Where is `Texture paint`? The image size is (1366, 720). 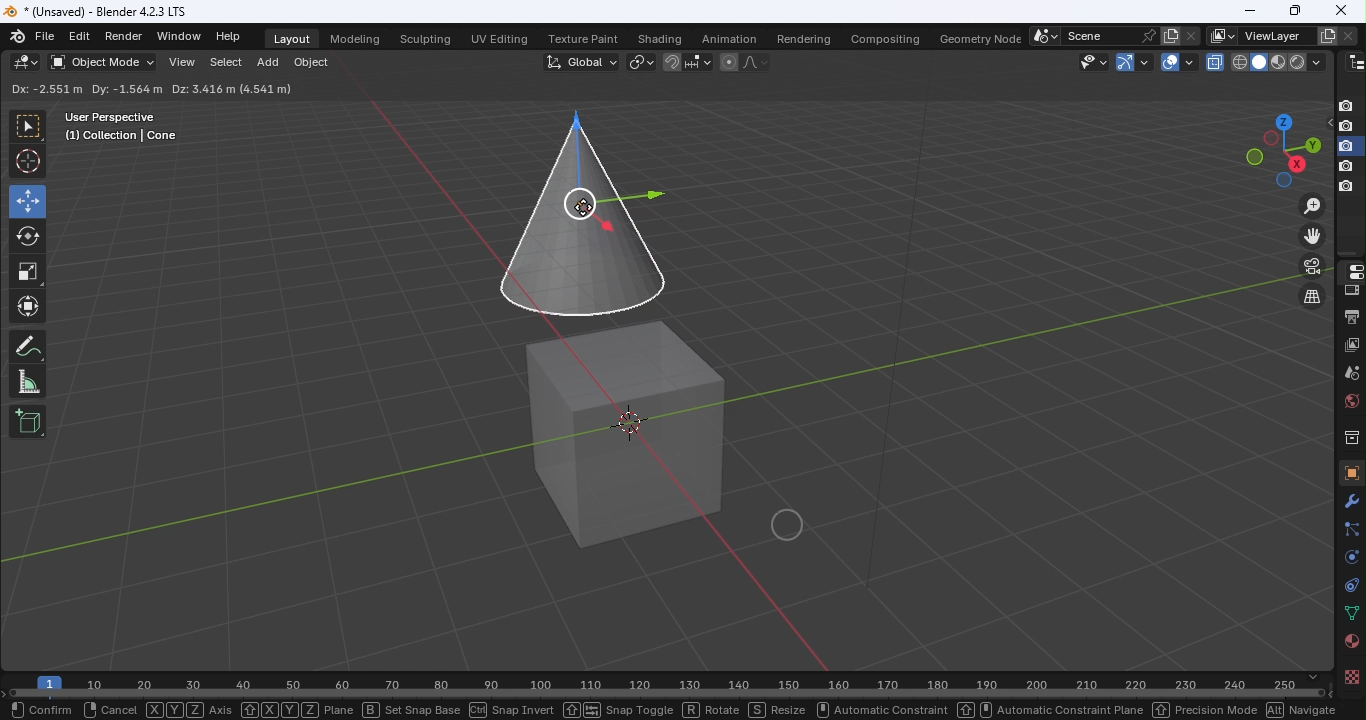
Texture paint is located at coordinates (585, 40).